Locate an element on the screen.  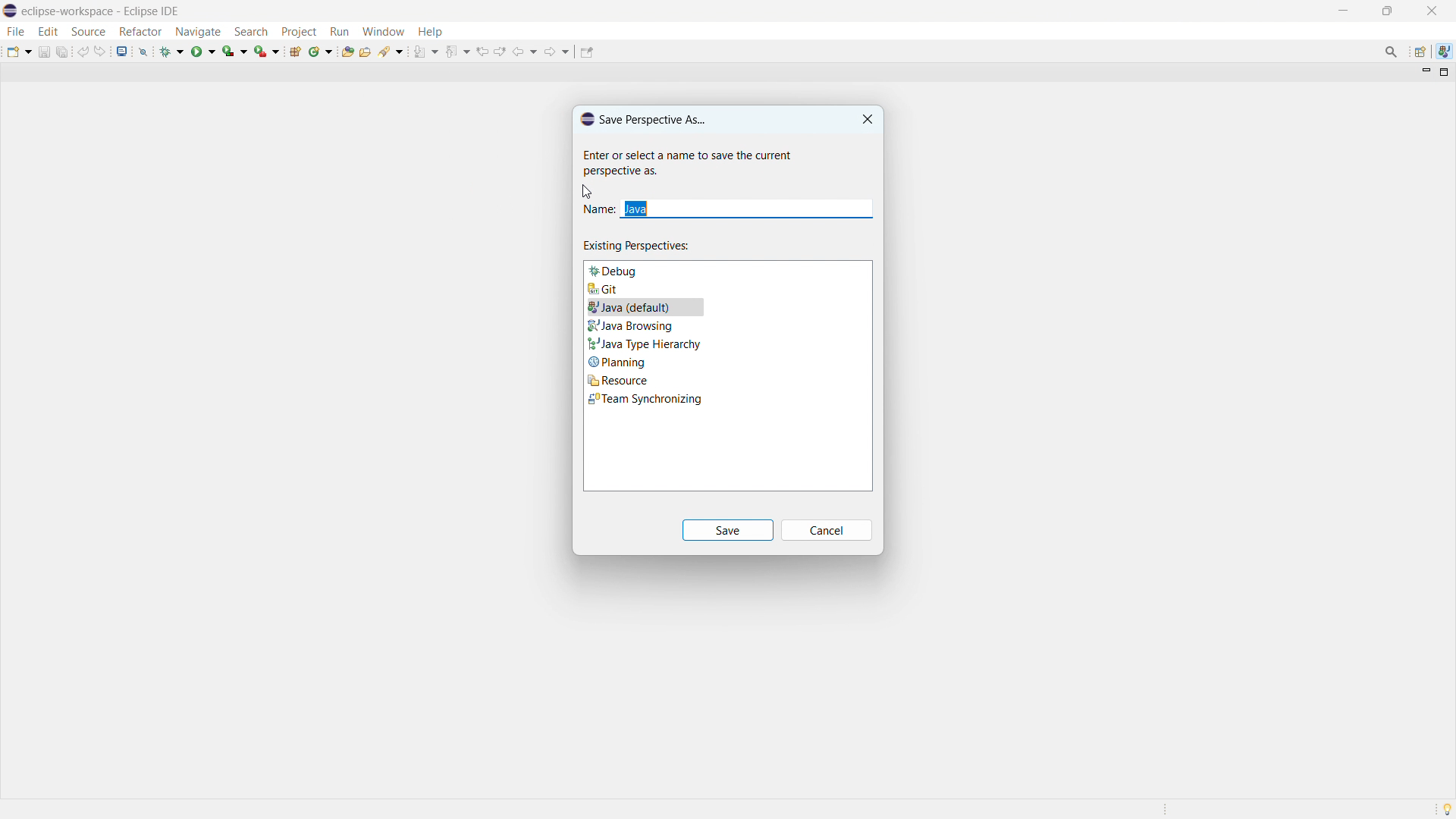
Planning is located at coordinates (728, 361).